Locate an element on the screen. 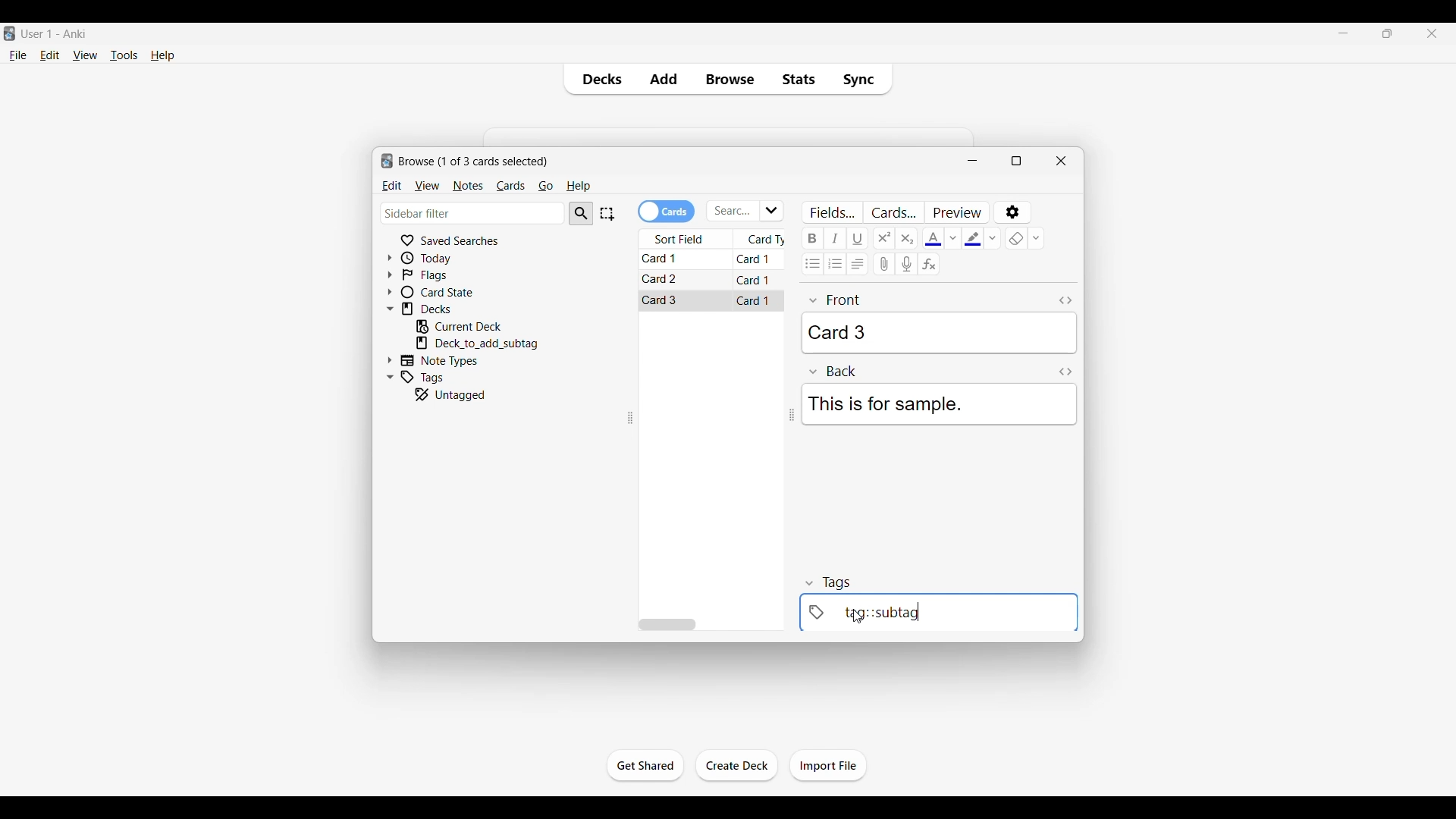 The height and width of the screenshot is (819, 1456). Notes menu is located at coordinates (468, 187).